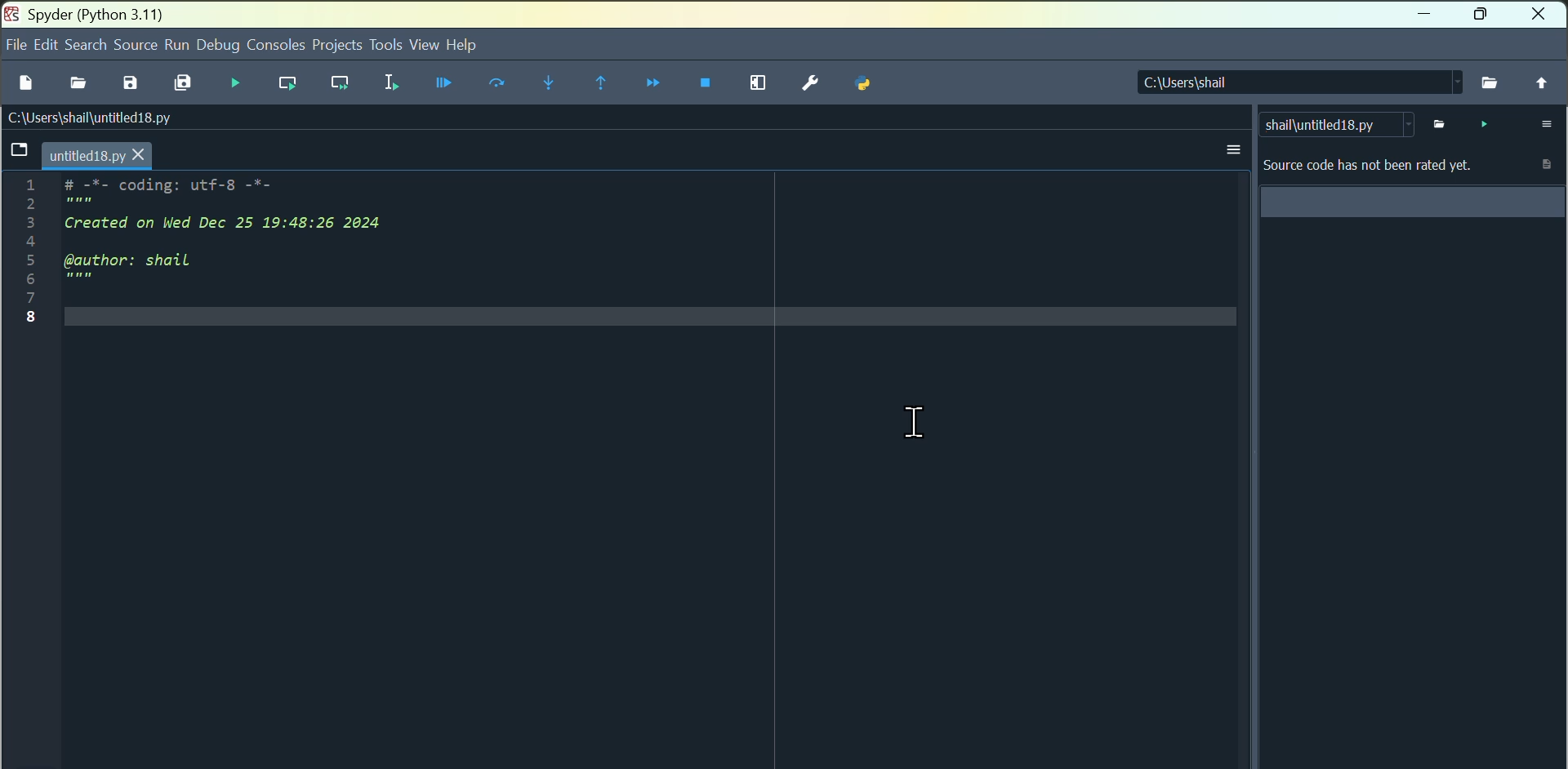  What do you see at coordinates (79, 154) in the screenshot?
I see `tab - untitled18.py` at bounding box center [79, 154].